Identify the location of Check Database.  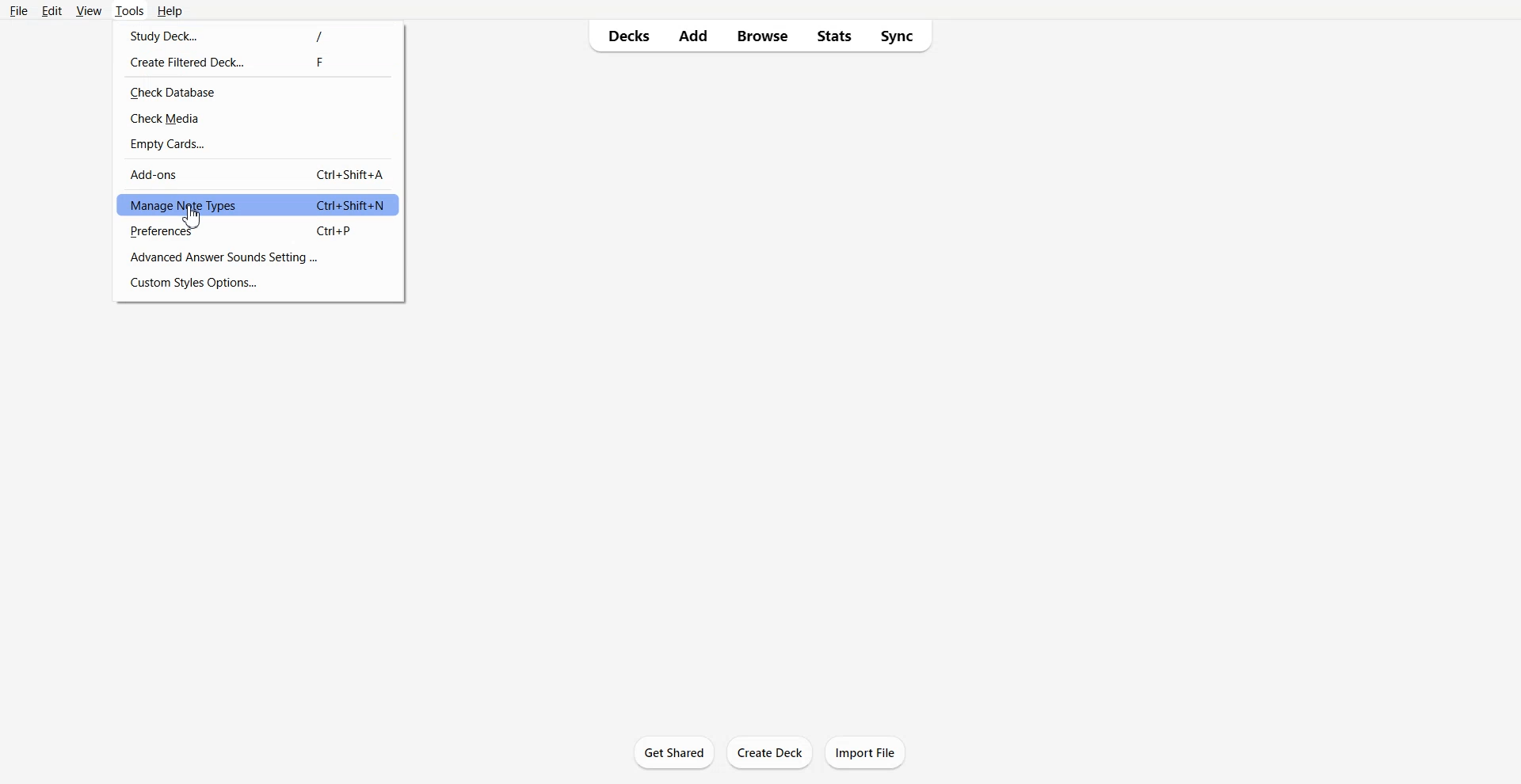
(260, 90).